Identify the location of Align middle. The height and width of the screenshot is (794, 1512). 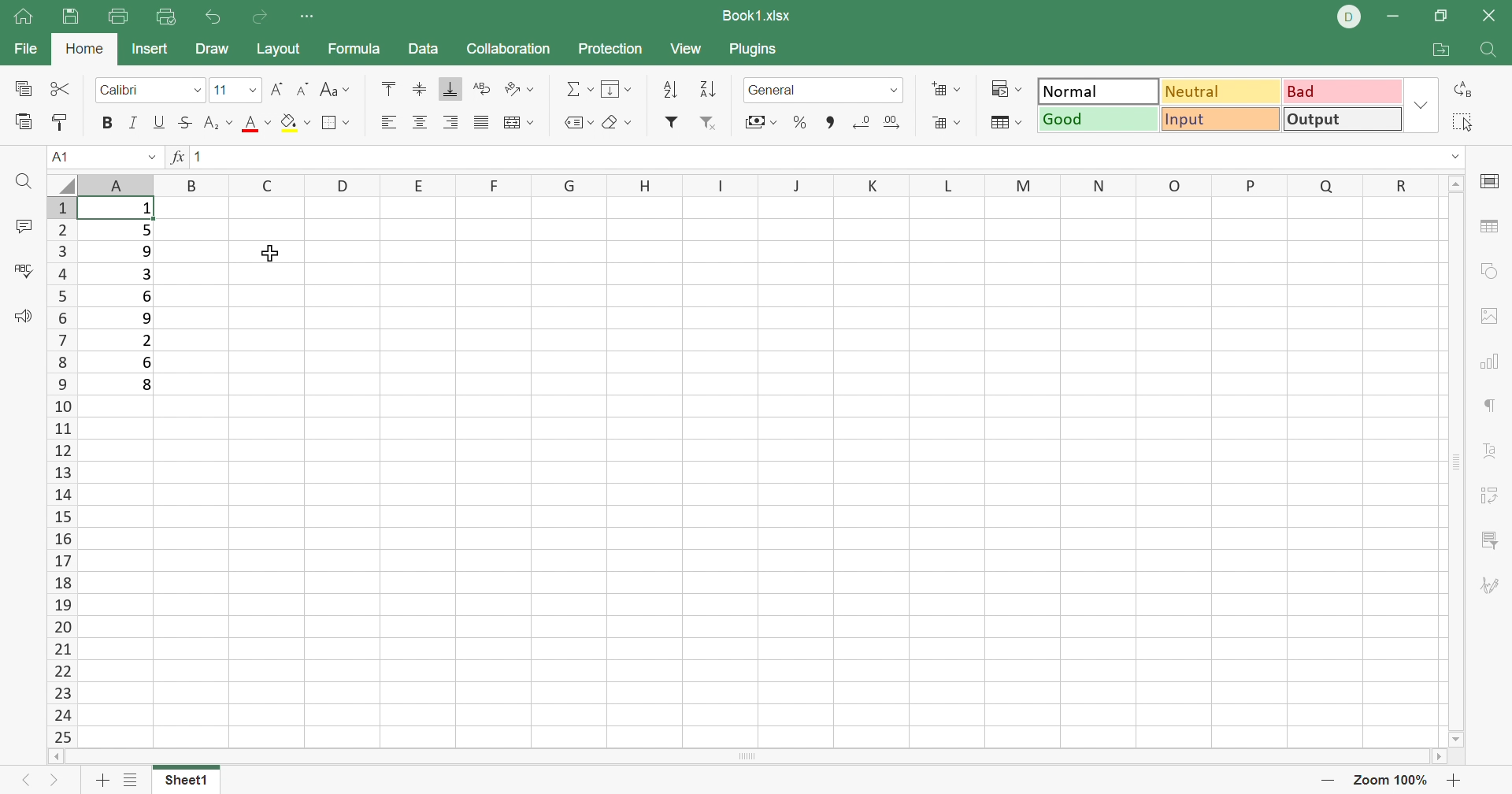
(419, 87).